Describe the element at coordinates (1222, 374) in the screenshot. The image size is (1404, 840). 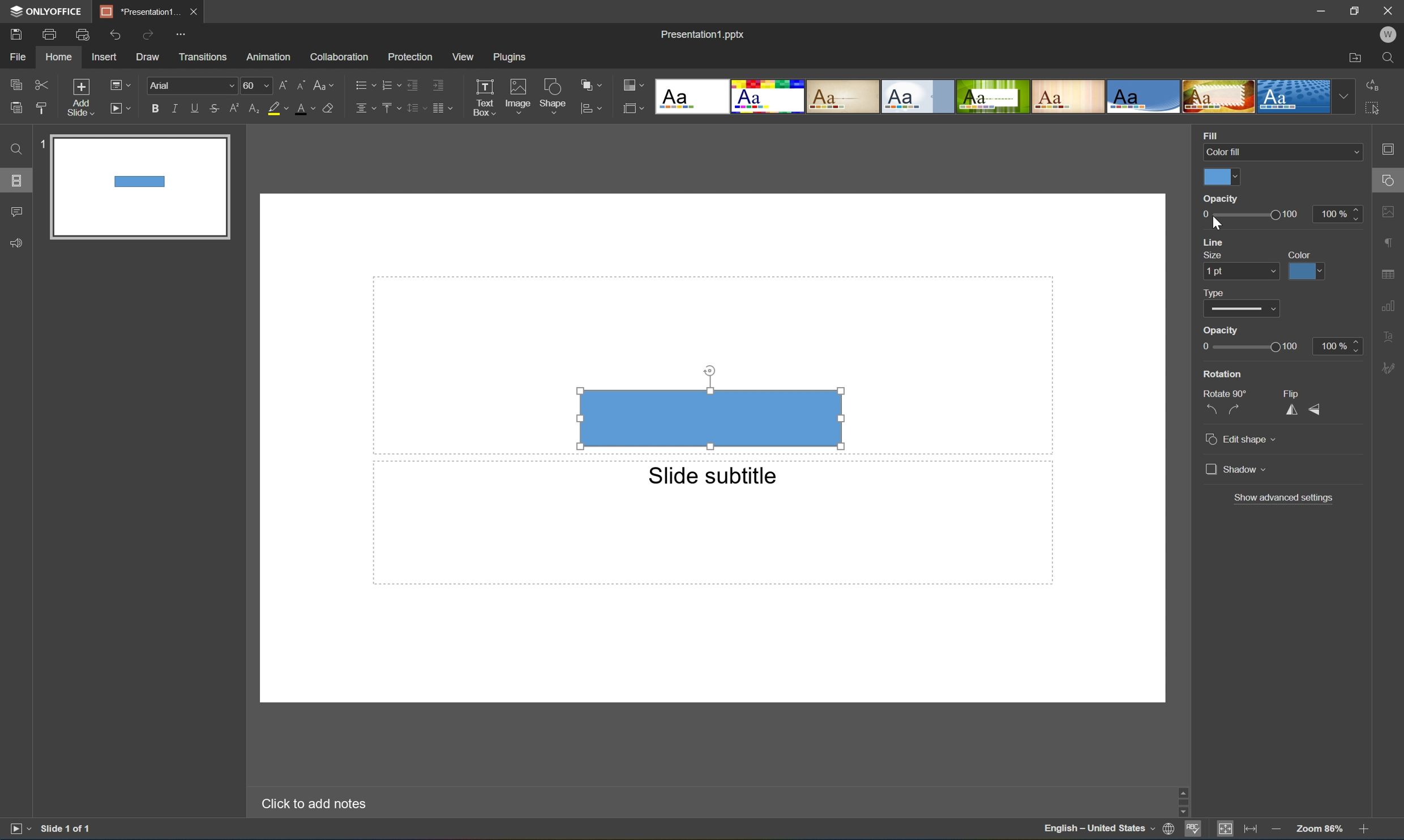
I see `Rotation` at that location.